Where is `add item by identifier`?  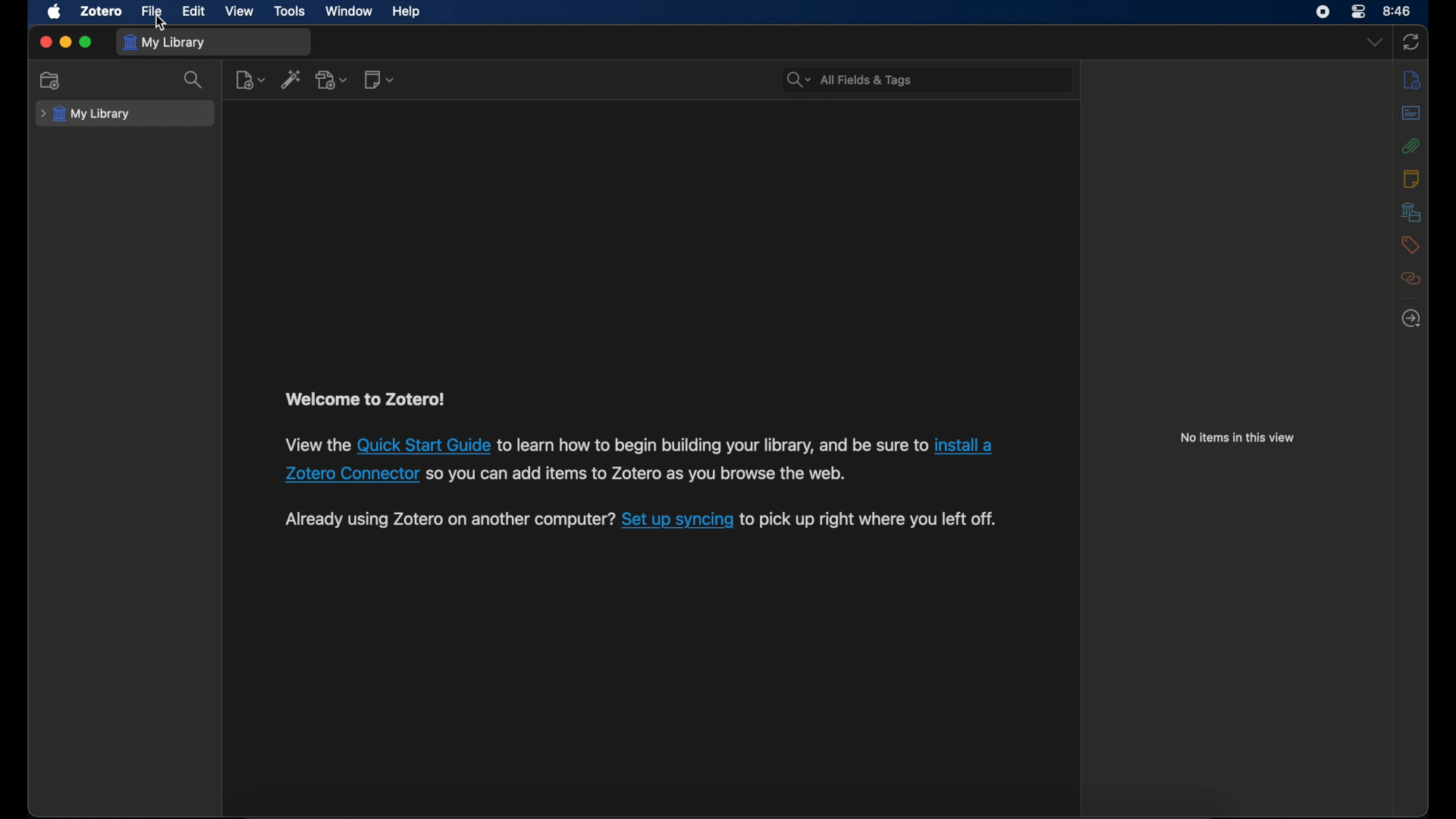 add item by identifier is located at coordinates (293, 80).